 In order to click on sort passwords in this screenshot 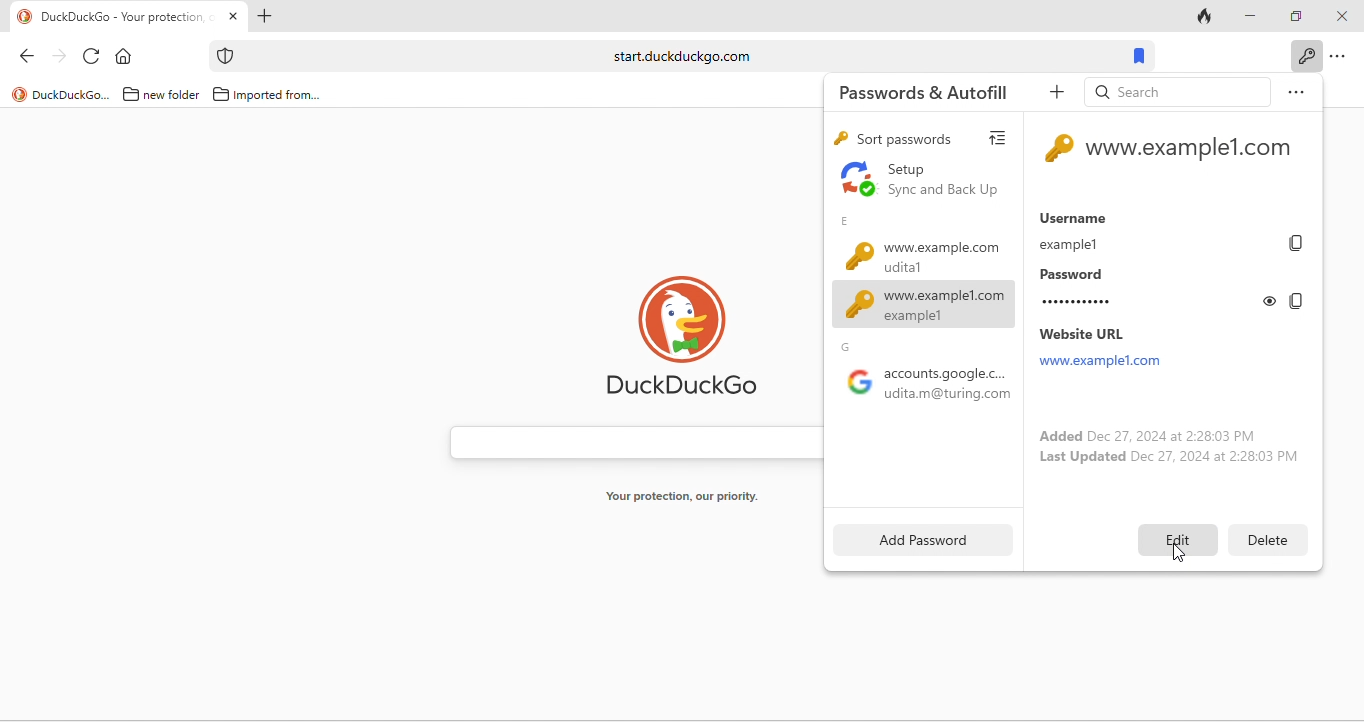, I will do `click(905, 139)`.